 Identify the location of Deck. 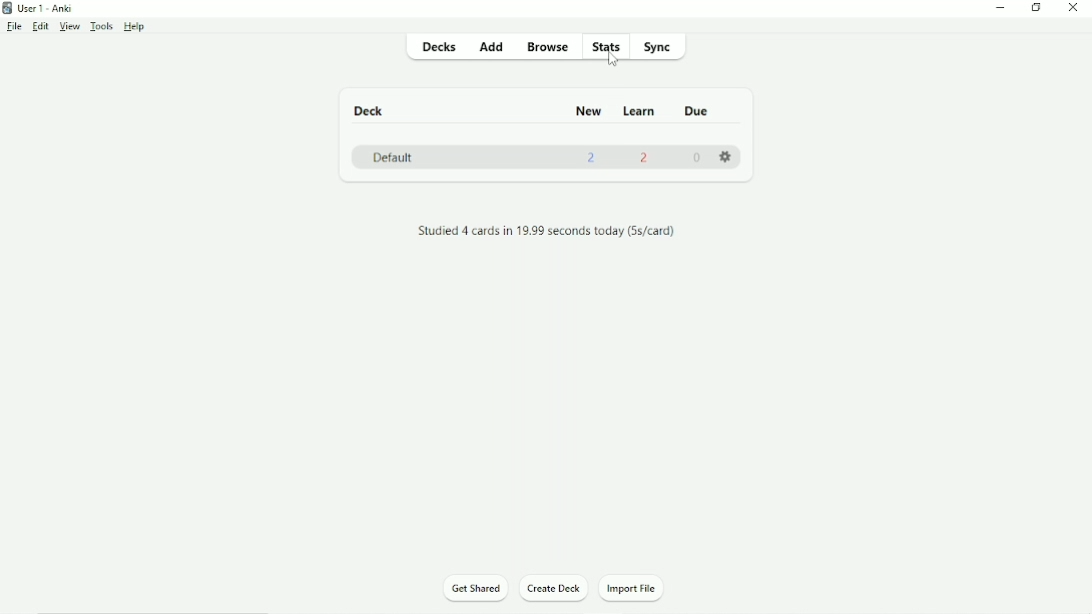
(372, 111).